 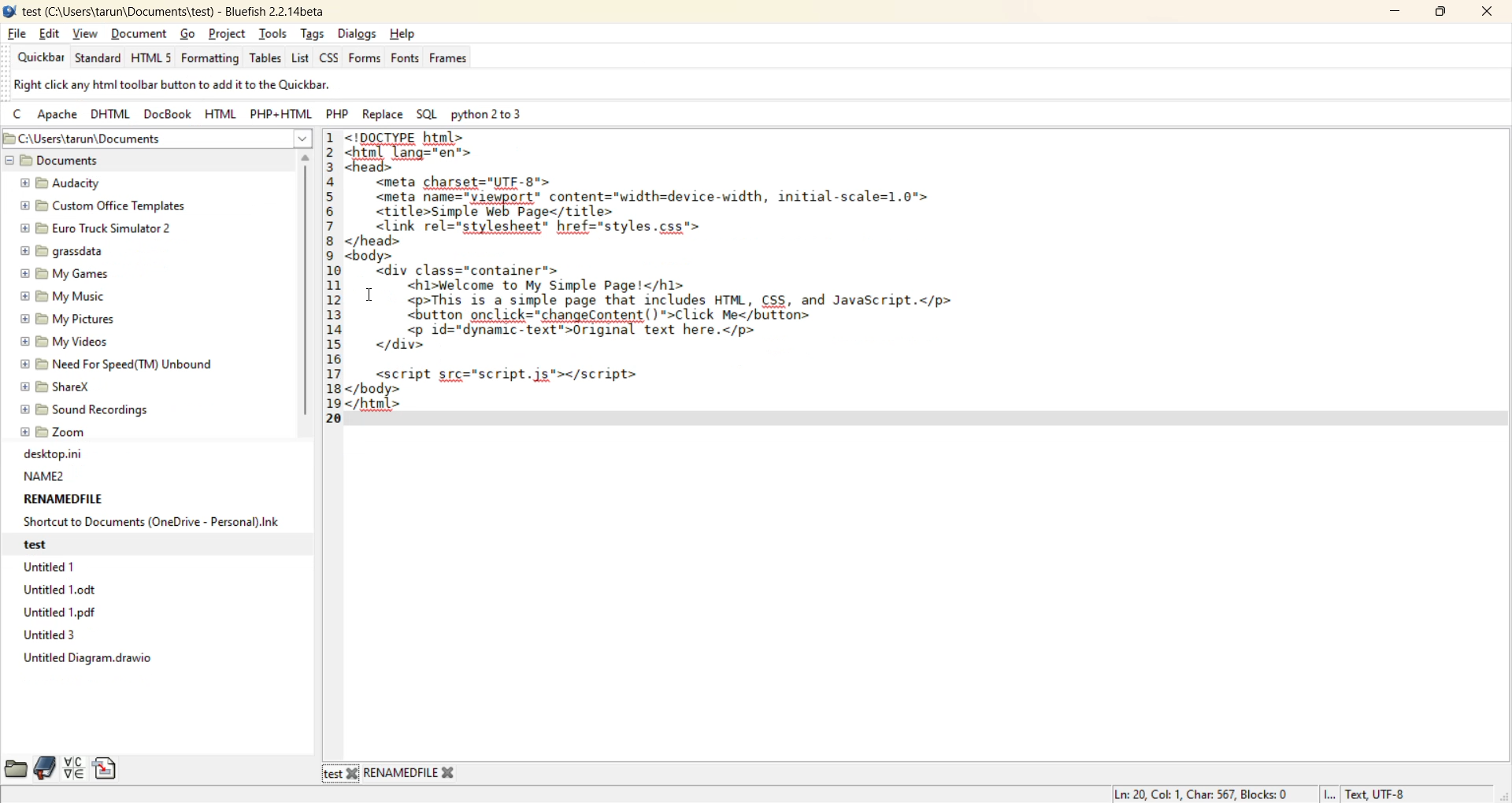 What do you see at coordinates (69, 296) in the screenshot?
I see `@ FB My Music` at bounding box center [69, 296].